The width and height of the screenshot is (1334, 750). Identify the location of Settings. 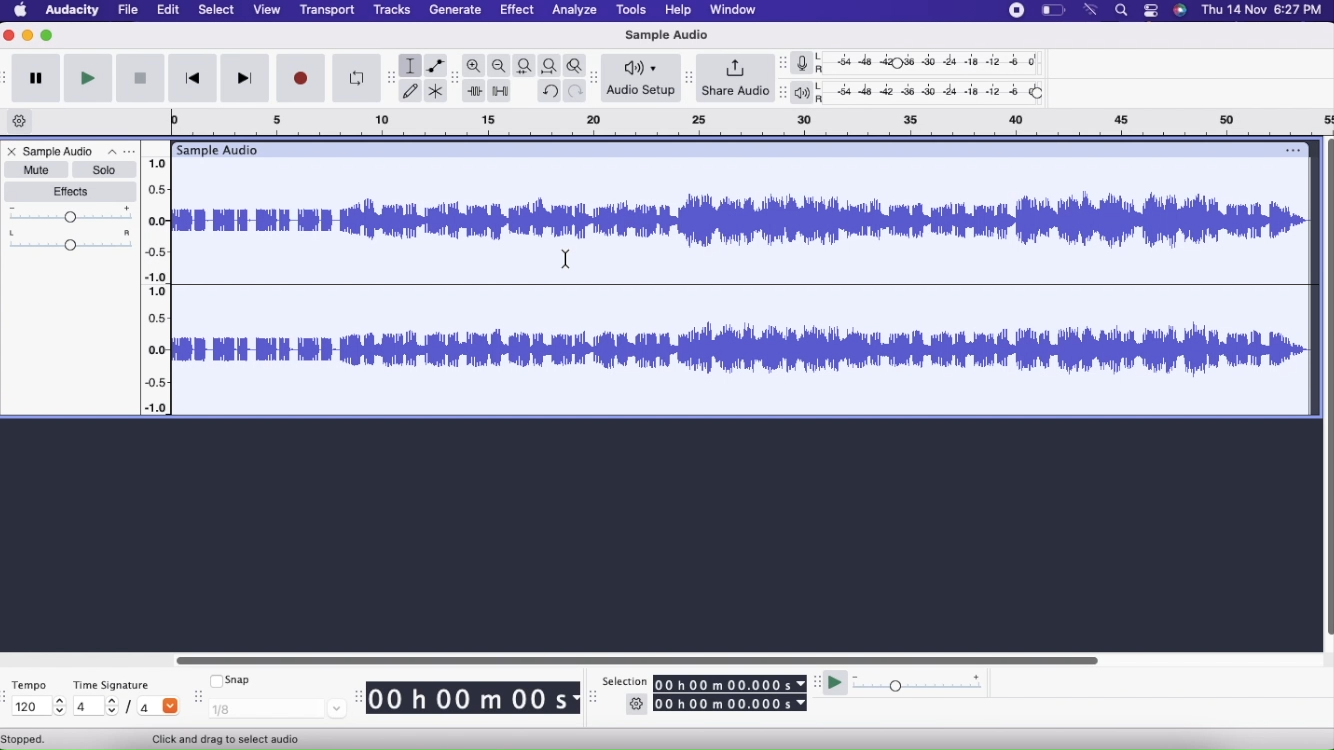
(637, 704).